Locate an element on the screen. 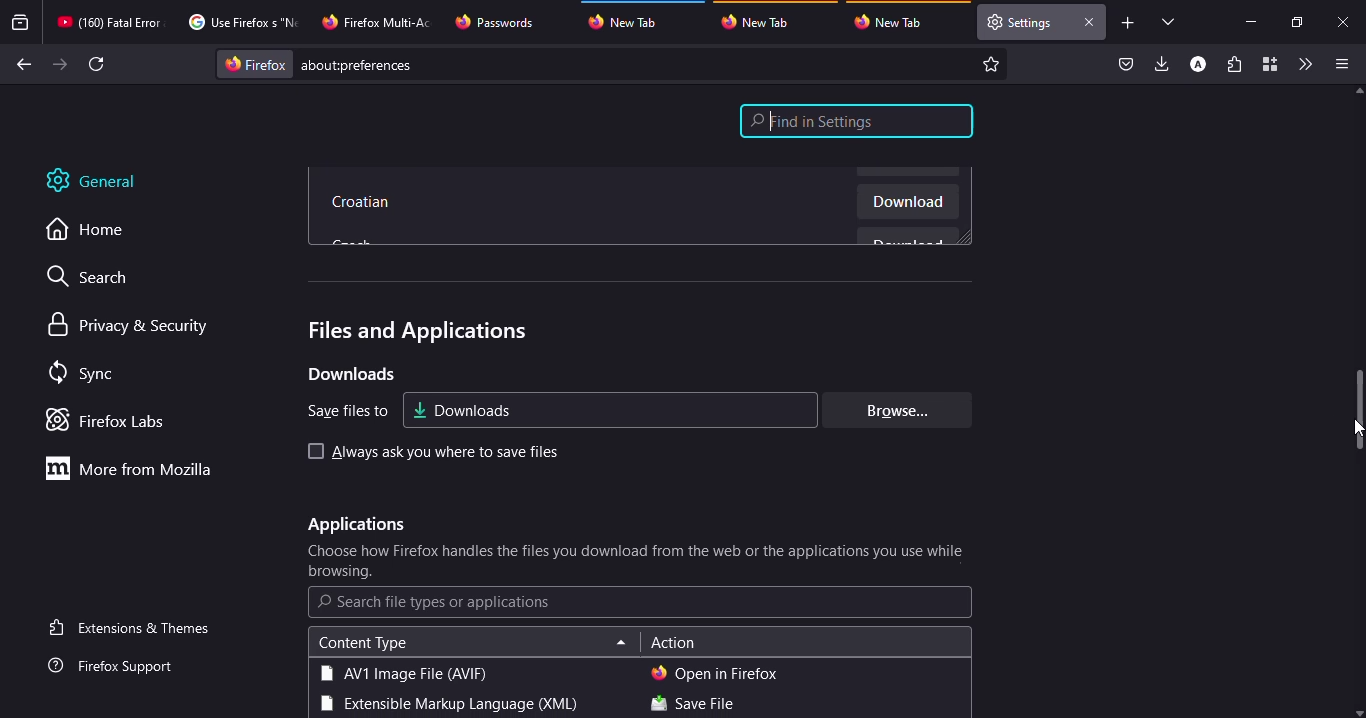 The width and height of the screenshot is (1366, 718). content type is located at coordinates (362, 643).